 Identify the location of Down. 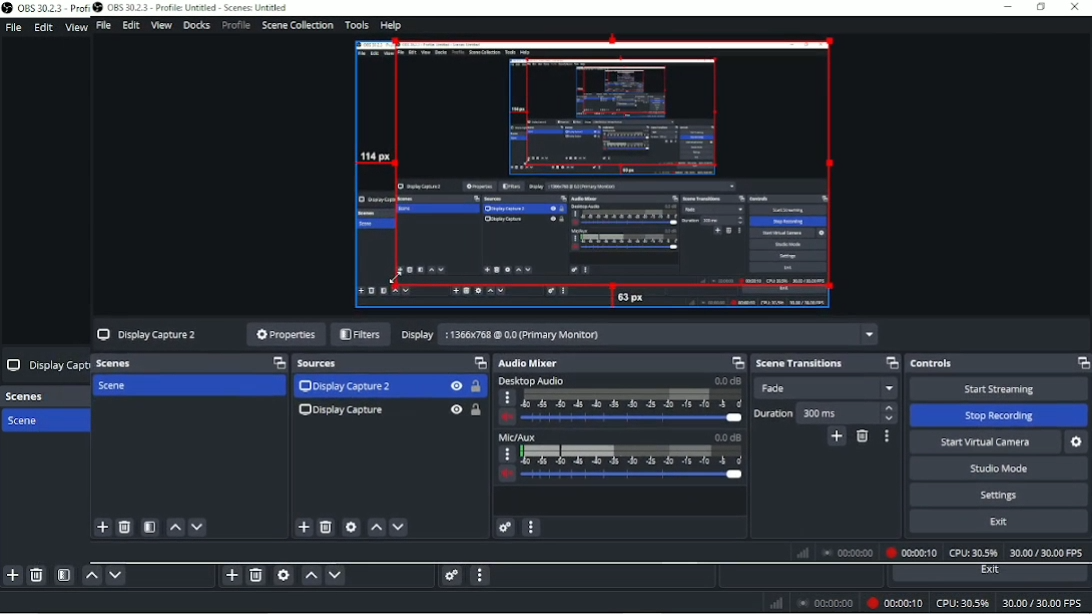
(402, 528).